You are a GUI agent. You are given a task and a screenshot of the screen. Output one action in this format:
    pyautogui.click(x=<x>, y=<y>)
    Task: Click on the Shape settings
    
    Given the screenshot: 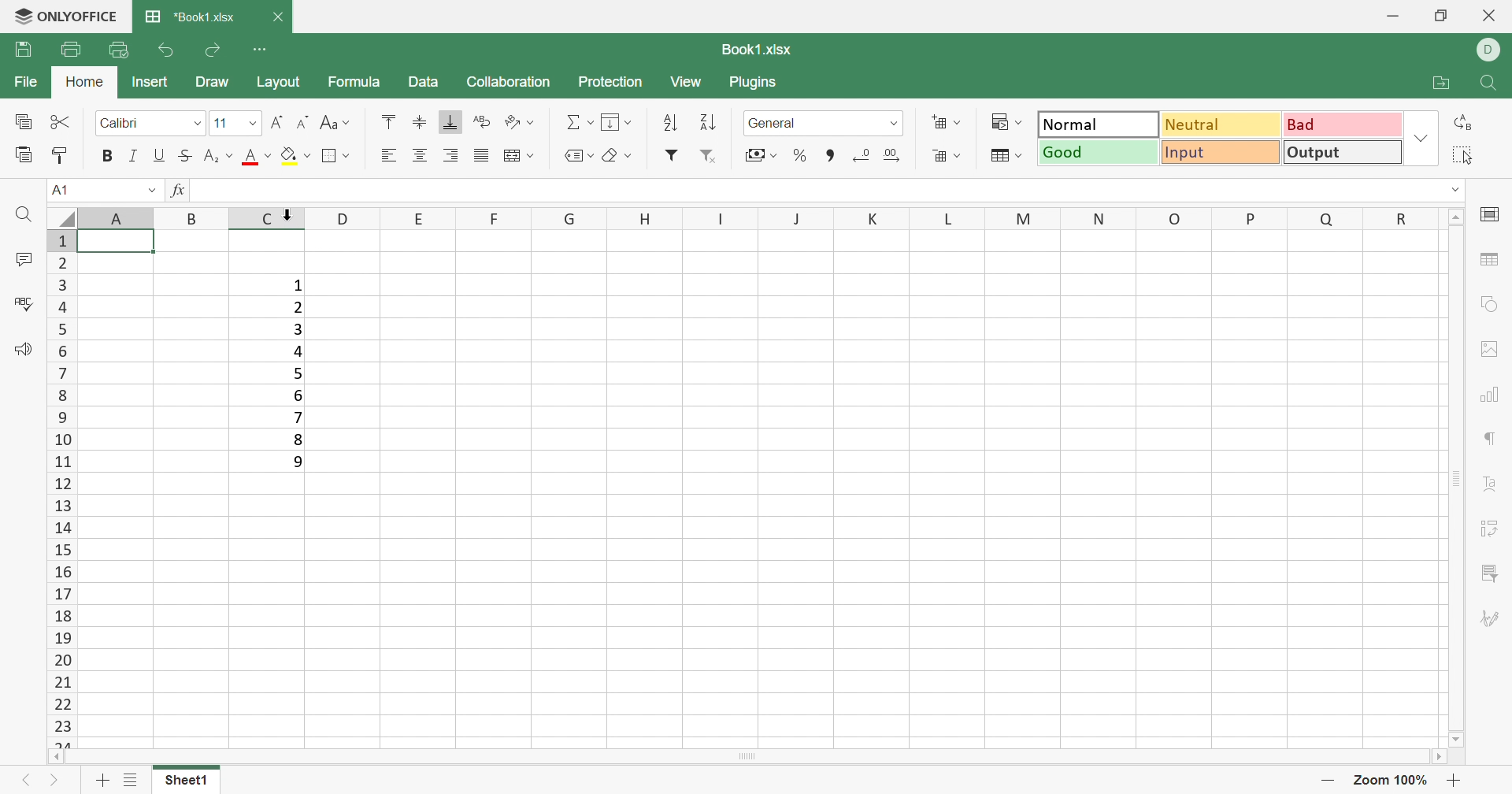 What is the action you would take?
    pyautogui.click(x=1492, y=305)
    